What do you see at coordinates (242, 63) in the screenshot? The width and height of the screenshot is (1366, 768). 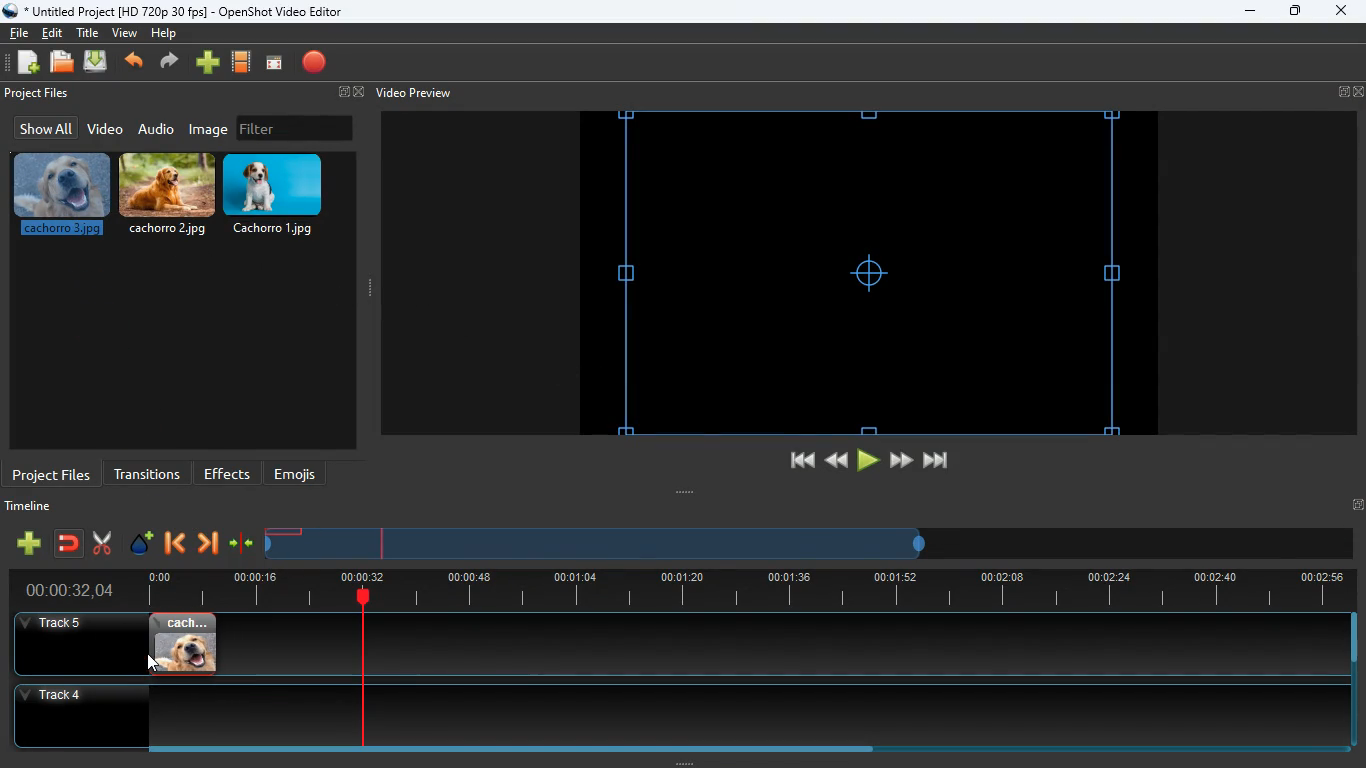 I see `film` at bounding box center [242, 63].